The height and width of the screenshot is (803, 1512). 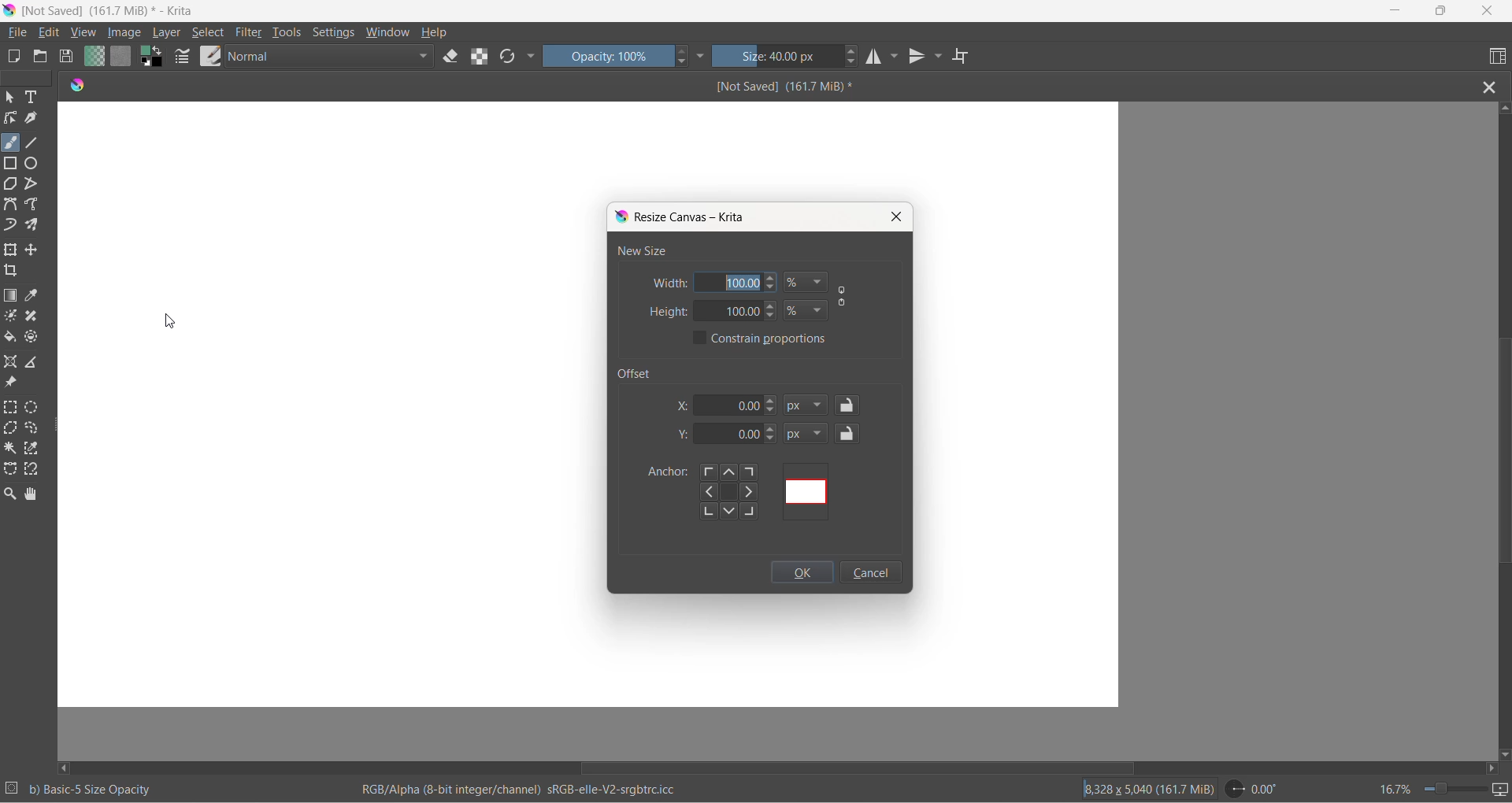 What do you see at coordinates (778, 57) in the screenshot?
I see `size` at bounding box center [778, 57].